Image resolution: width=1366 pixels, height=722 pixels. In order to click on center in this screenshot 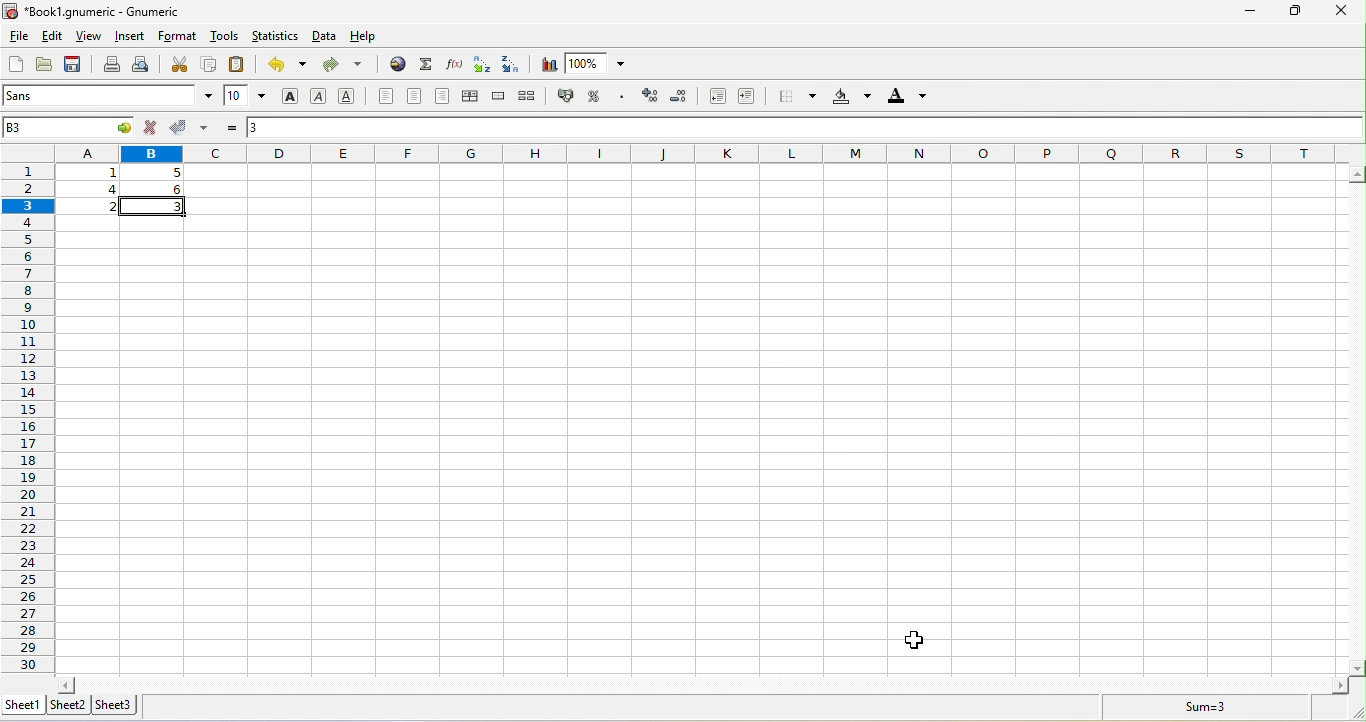, I will do `click(416, 96)`.